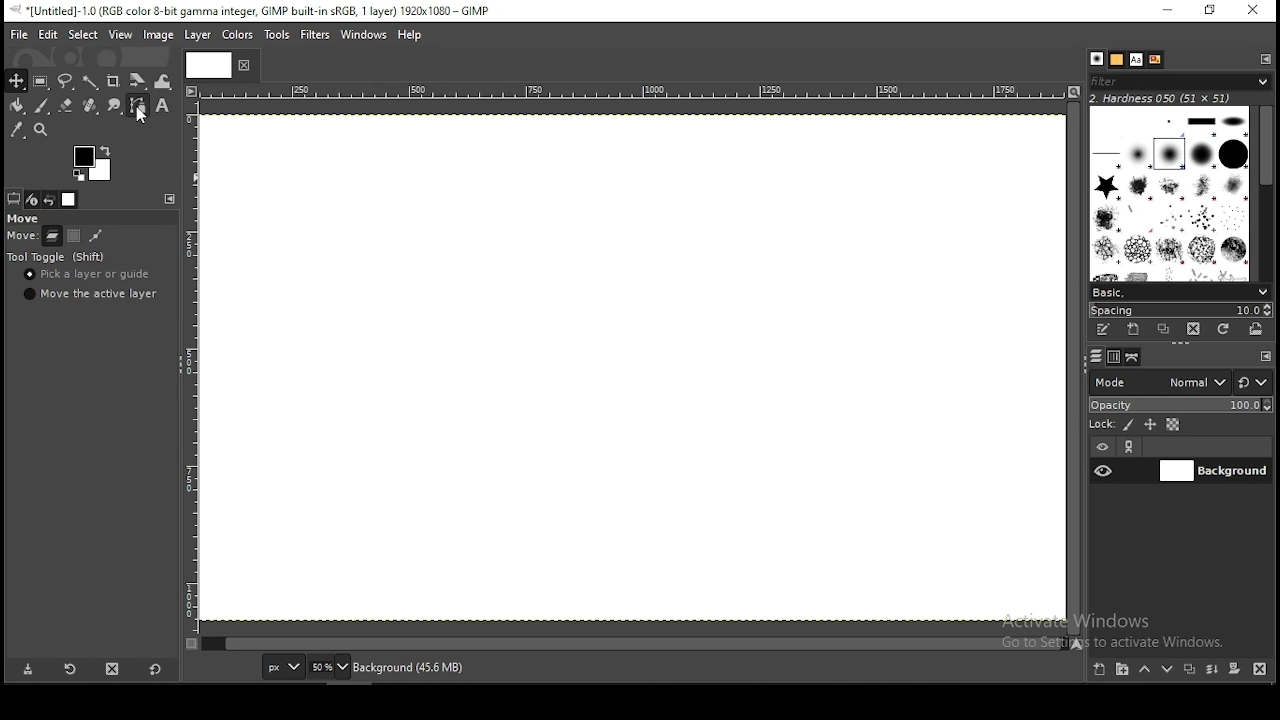 The image size is (1280, 720). I want to click on layer, so click(202, 36).